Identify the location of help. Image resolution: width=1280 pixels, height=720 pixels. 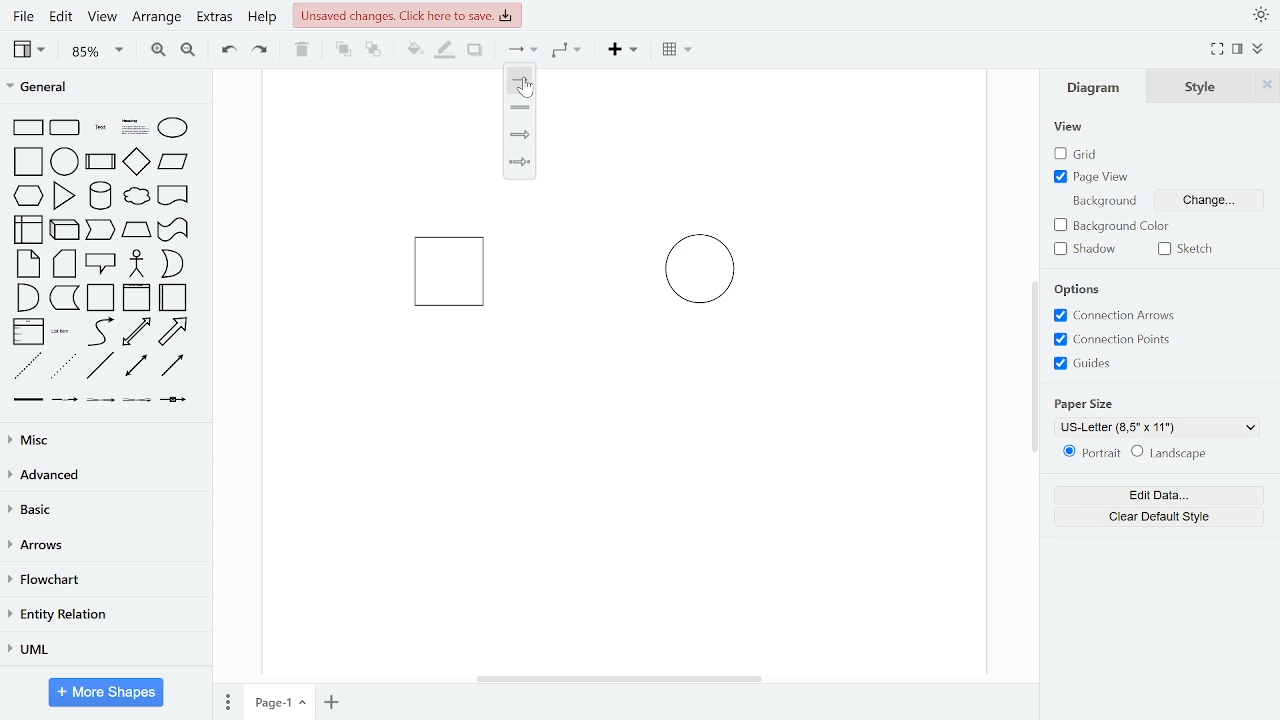
(262, 18).